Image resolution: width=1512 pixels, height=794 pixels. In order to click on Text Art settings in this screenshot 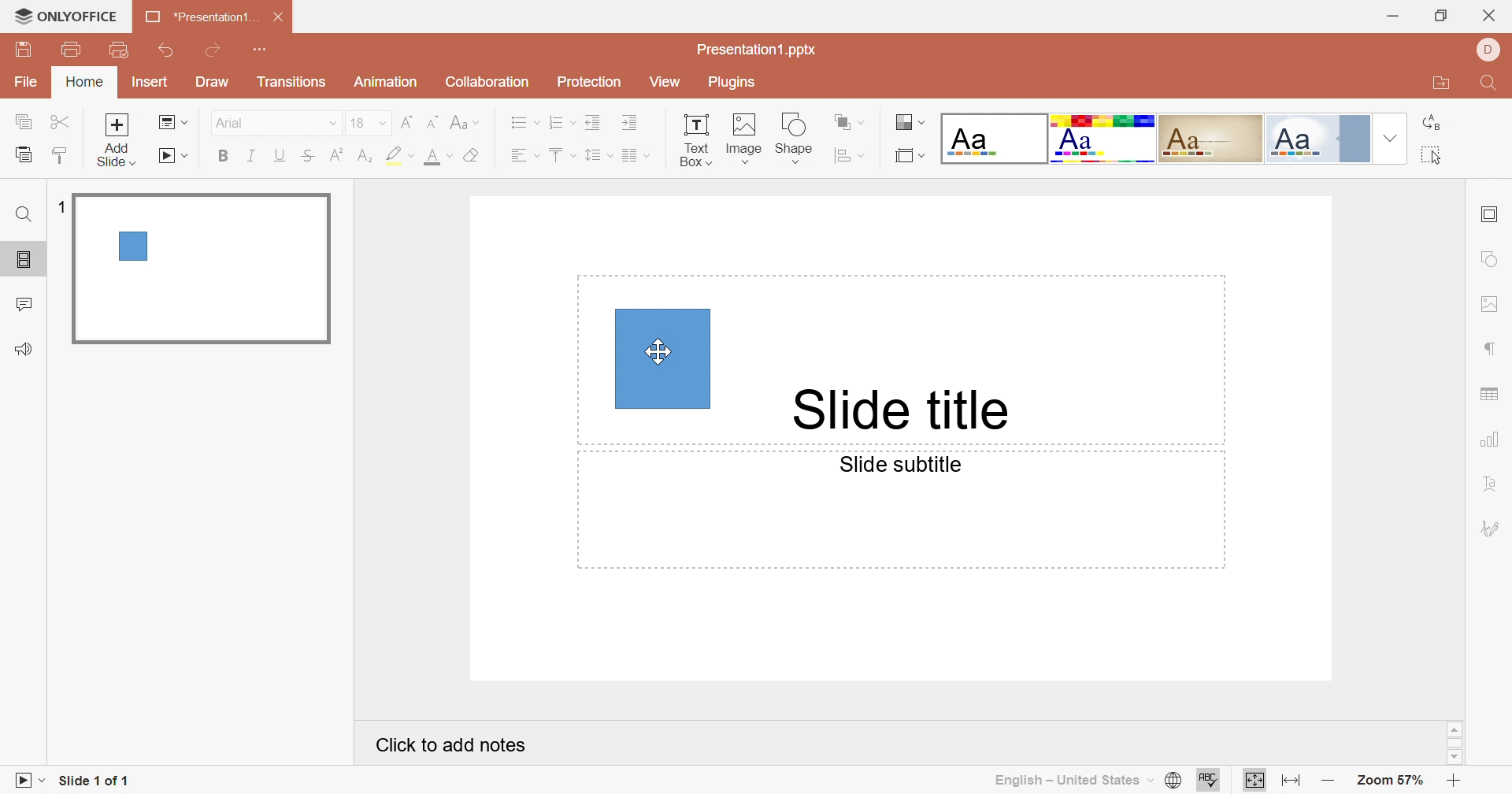, I will do `click(1495, 484)`.